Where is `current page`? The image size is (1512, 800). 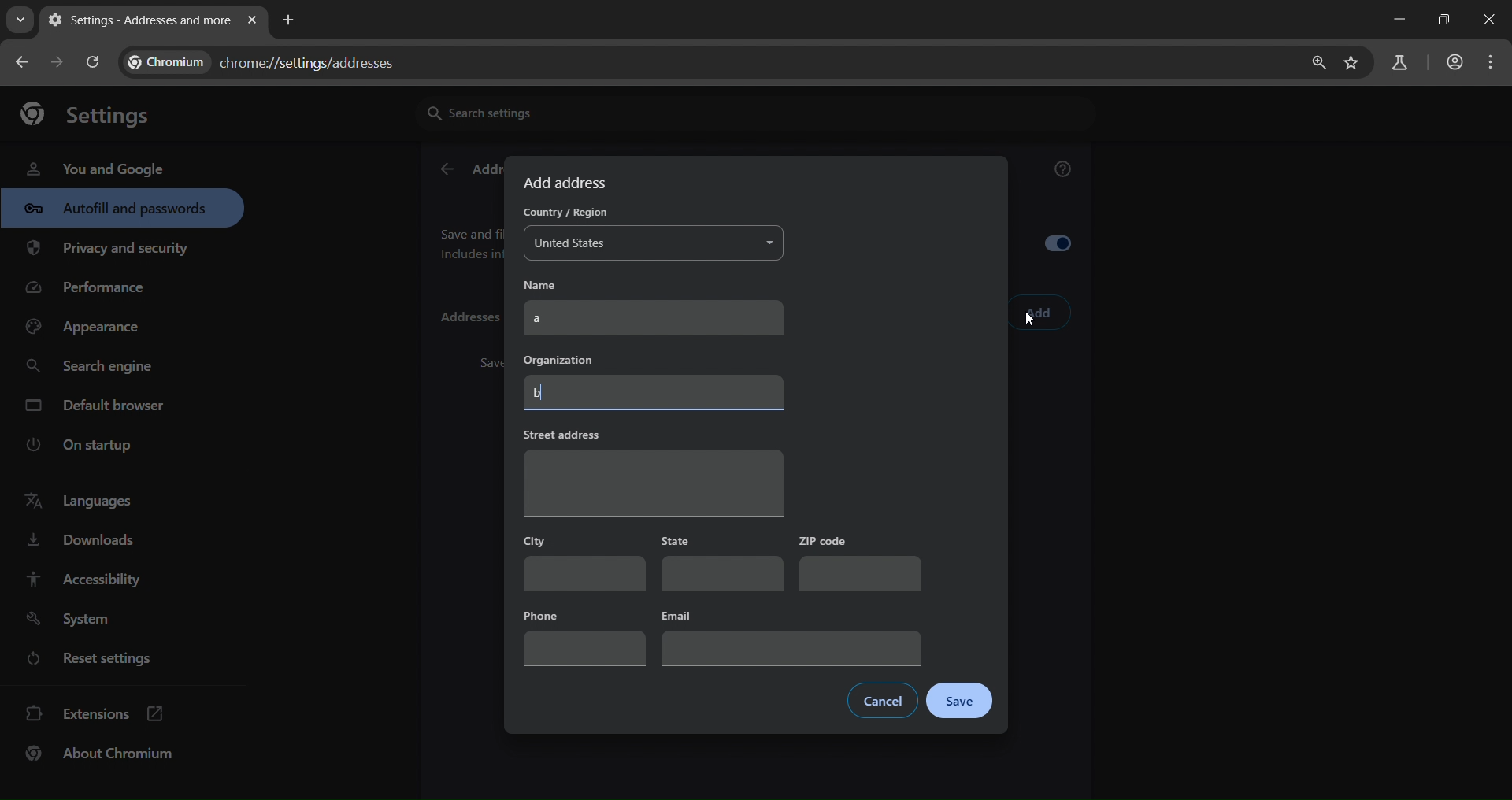 current page is located at coordinates (136, 20).